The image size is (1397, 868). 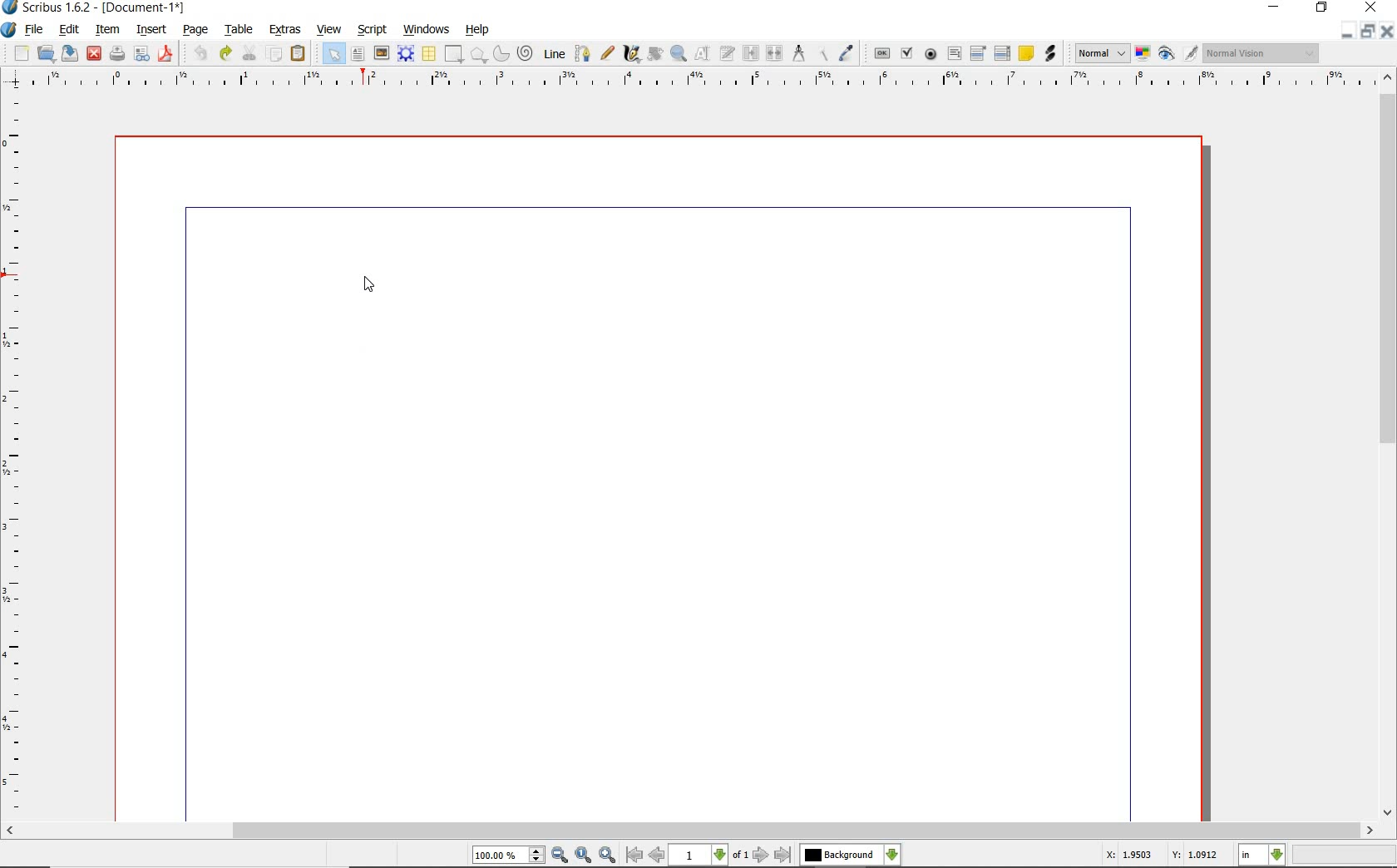 I want to click on scrollbar, so click(x=1387, y=446).